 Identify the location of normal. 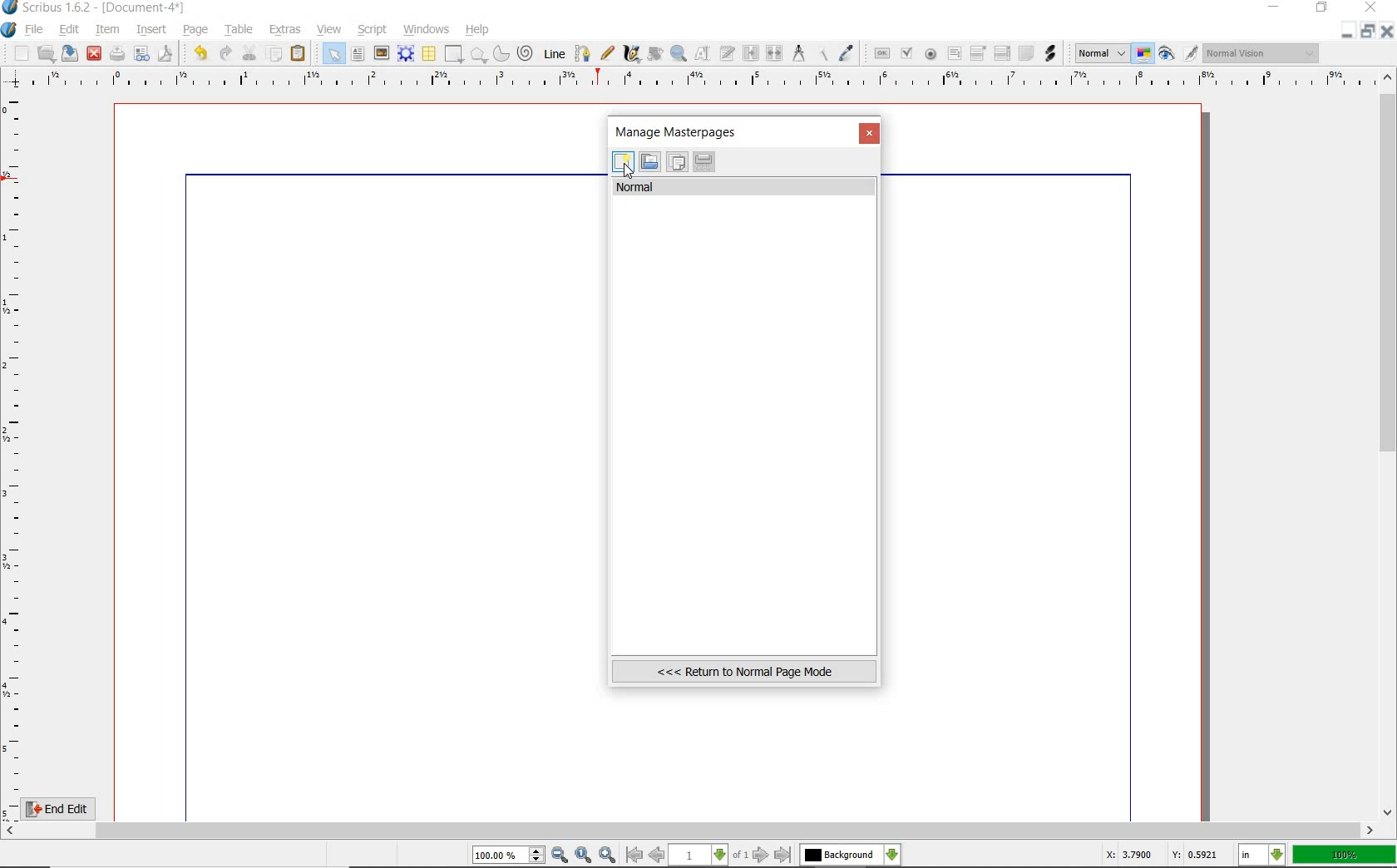
(745, 187).